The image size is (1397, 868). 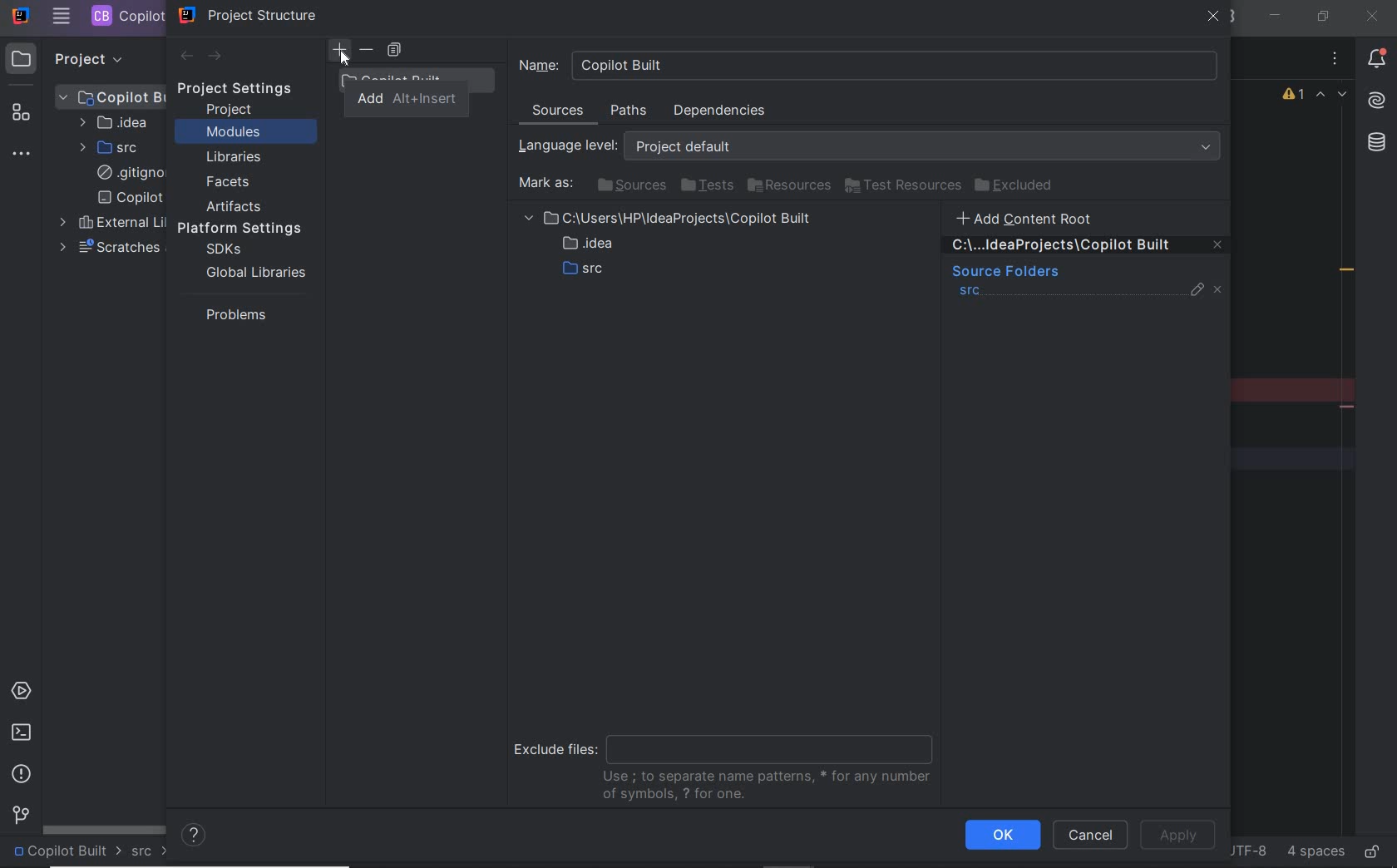 What do you see at coordinates (339, 50) in the screenshot?
I see `add` at bounding box center [339, 50].